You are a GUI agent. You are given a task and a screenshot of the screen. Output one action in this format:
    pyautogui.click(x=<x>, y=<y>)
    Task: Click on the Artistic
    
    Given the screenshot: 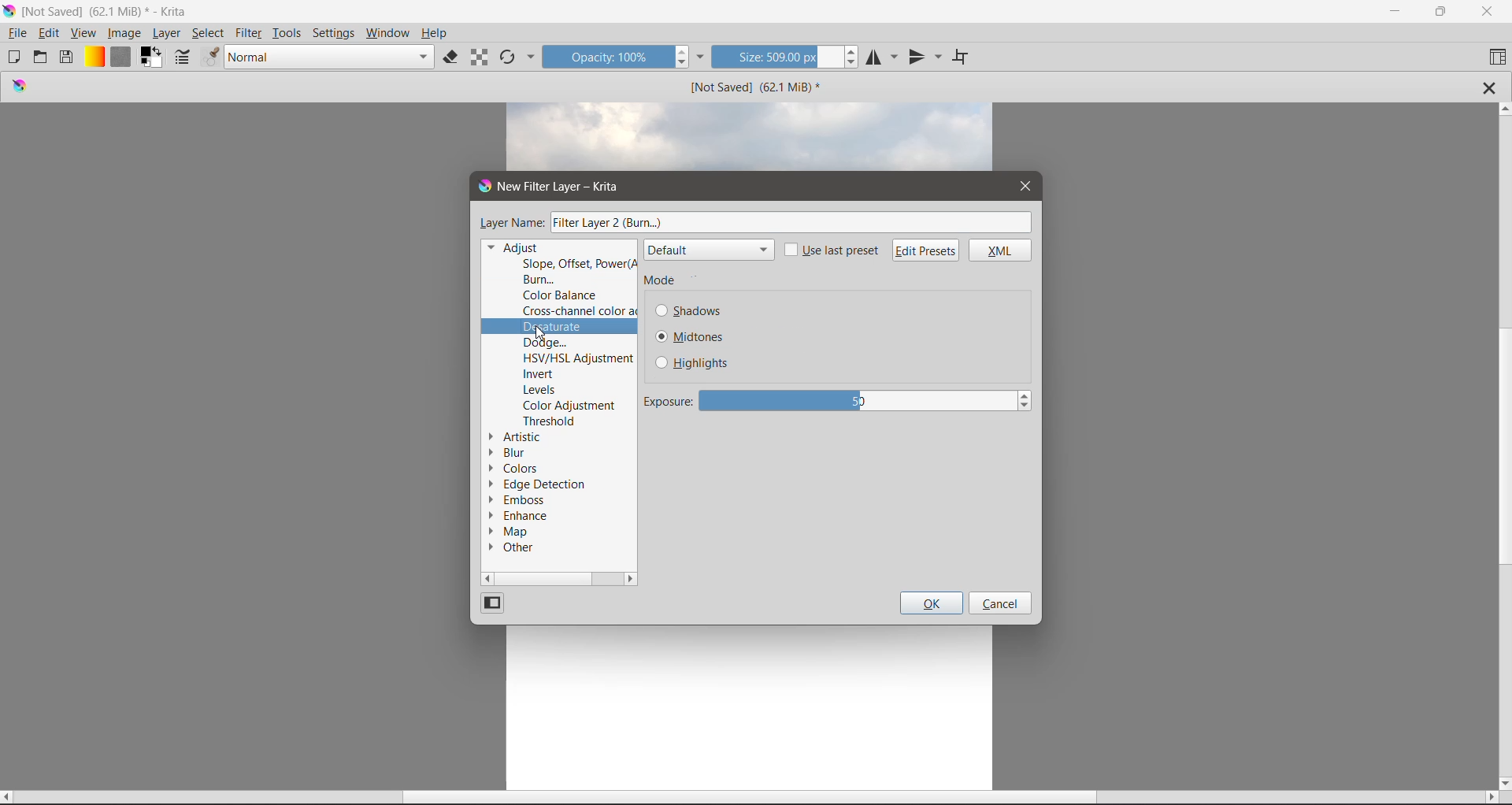 What is the action you would take?
    pyautogui.click(x=517, y=437)
    